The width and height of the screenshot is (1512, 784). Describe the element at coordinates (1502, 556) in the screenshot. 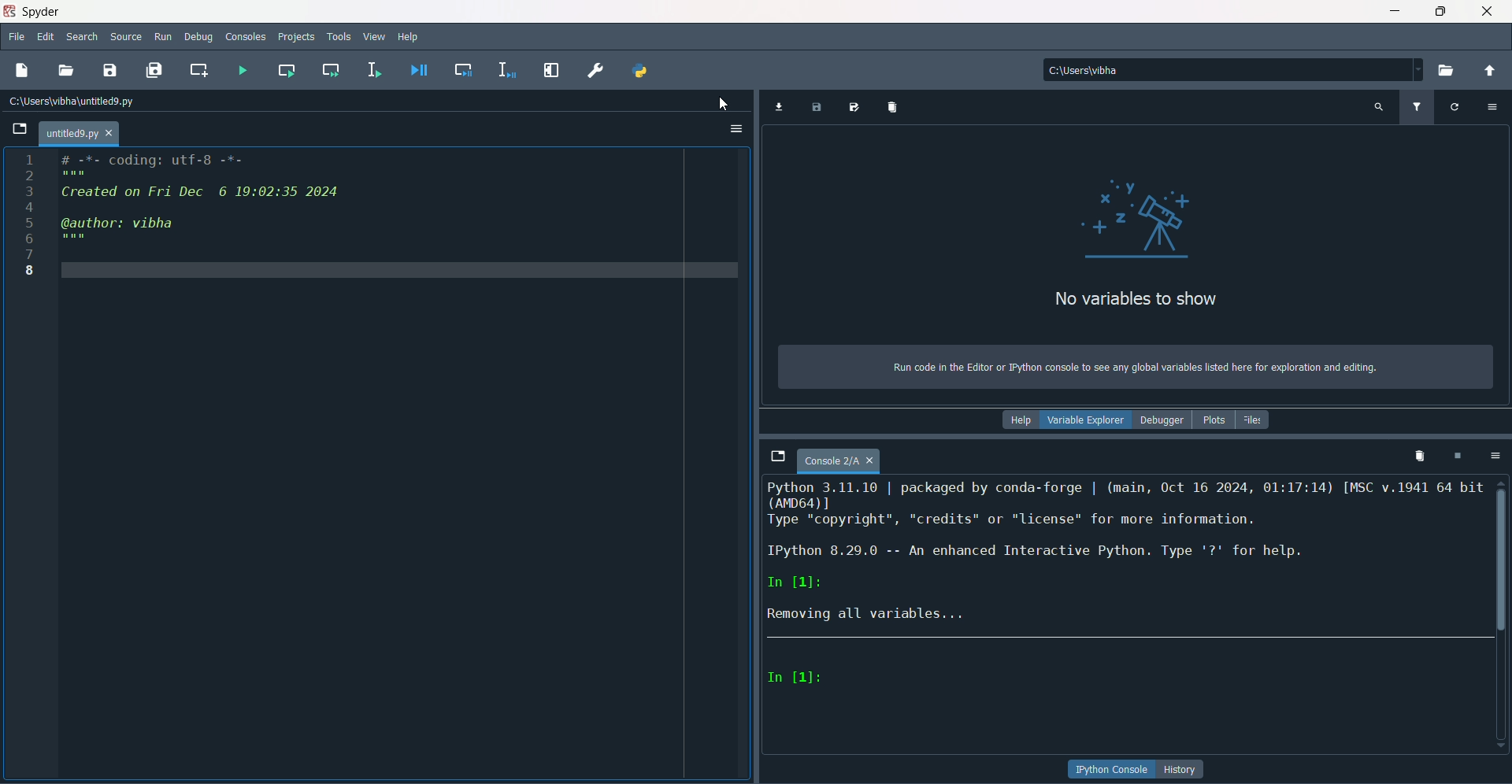

I see `scrollbar` at that location.